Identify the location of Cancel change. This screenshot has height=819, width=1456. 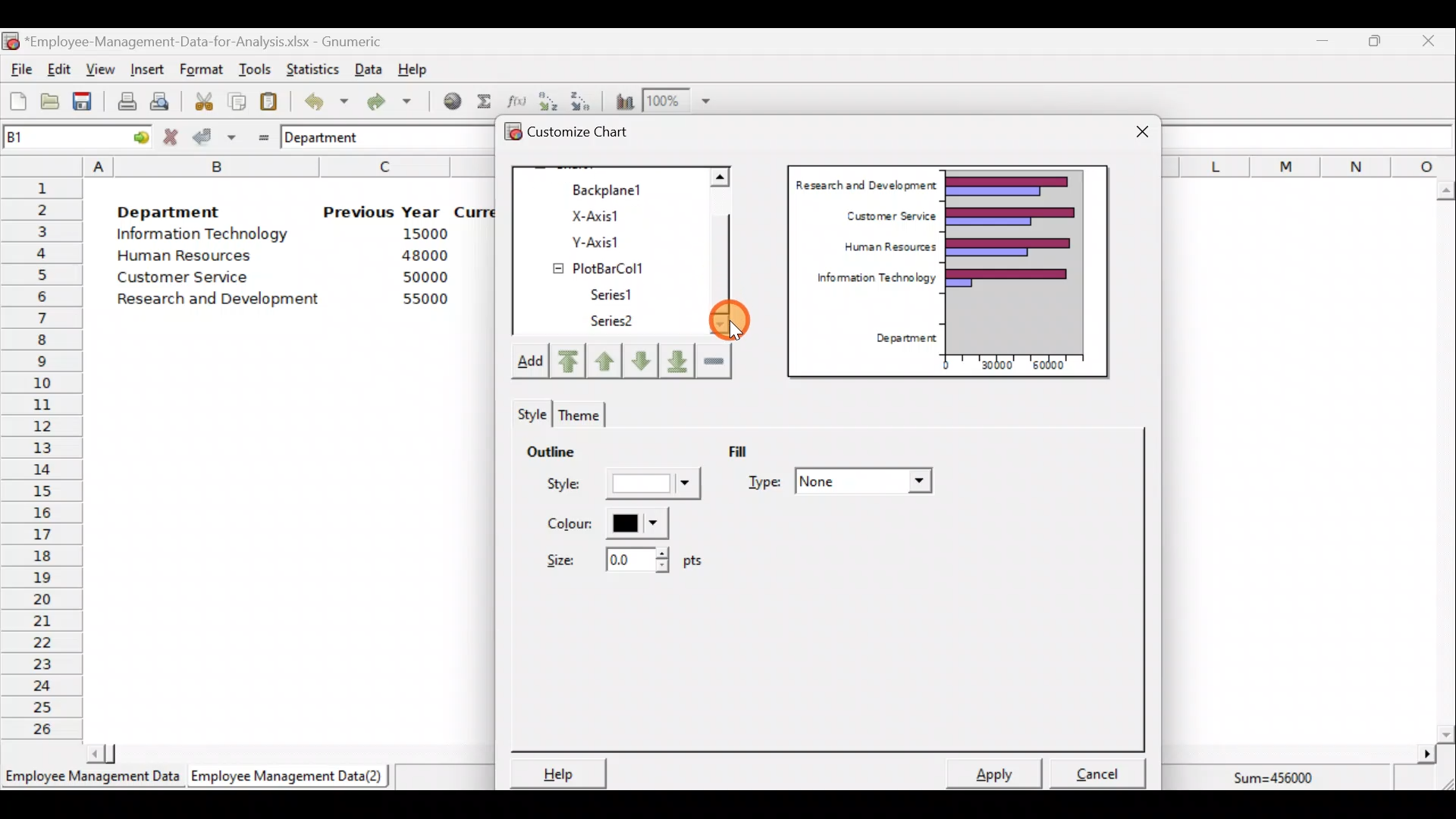
(173, 136).